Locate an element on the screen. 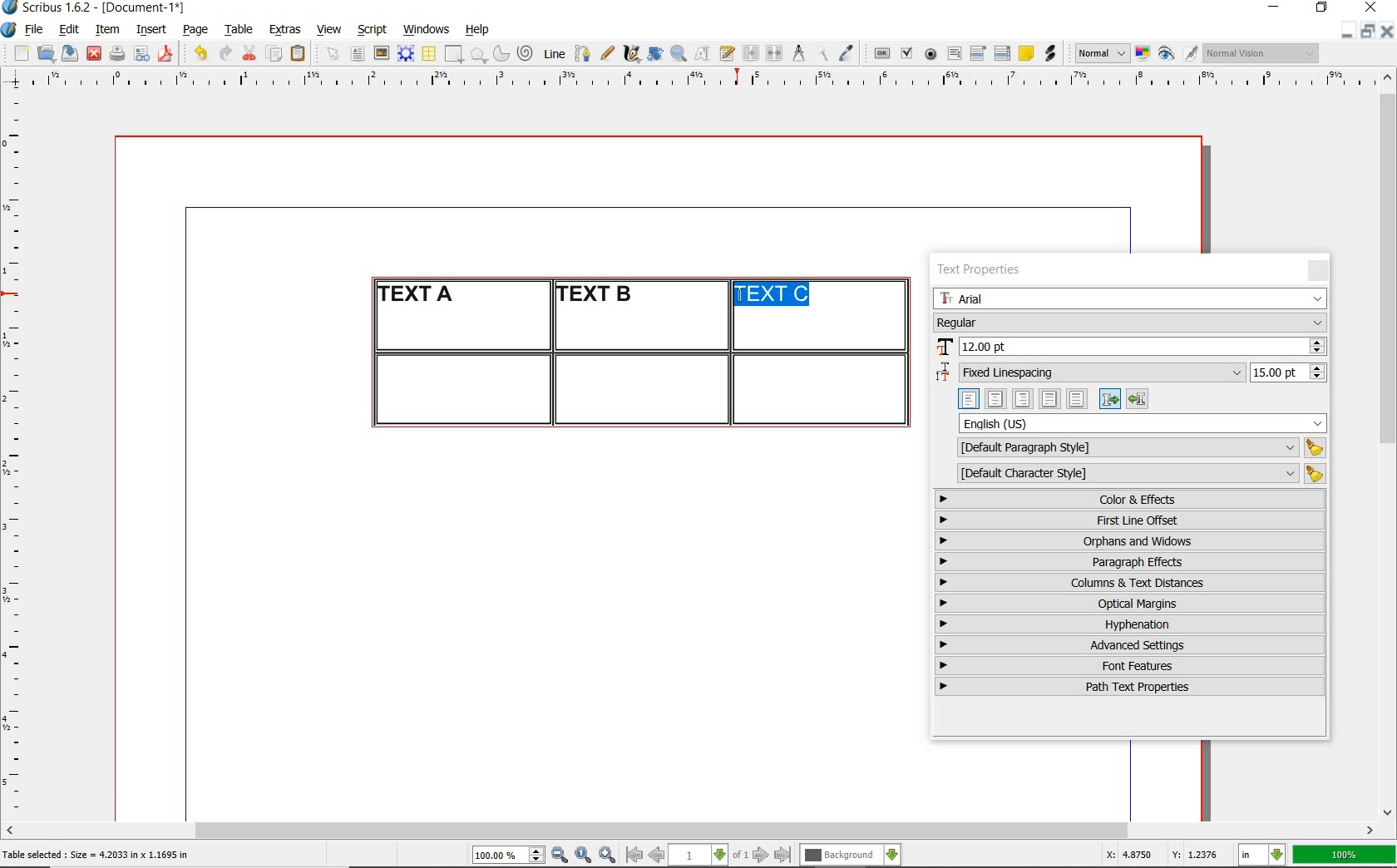 Image resolution: width=1397 pixels, height=868 pixels. optical margins is located at coordinates (1131, 604).